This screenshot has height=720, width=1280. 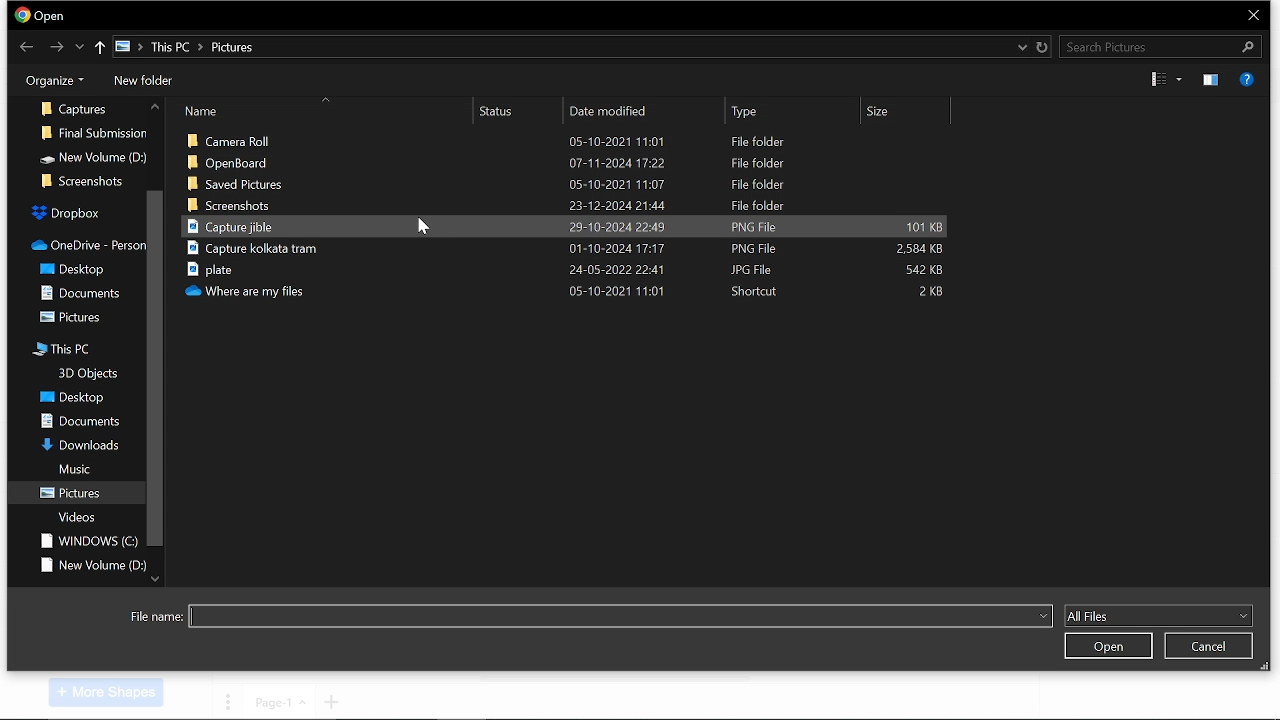 What do you see at coordinates (101, 48) in the screenshot?
I see `up to ` at bounding box center [101, 48].